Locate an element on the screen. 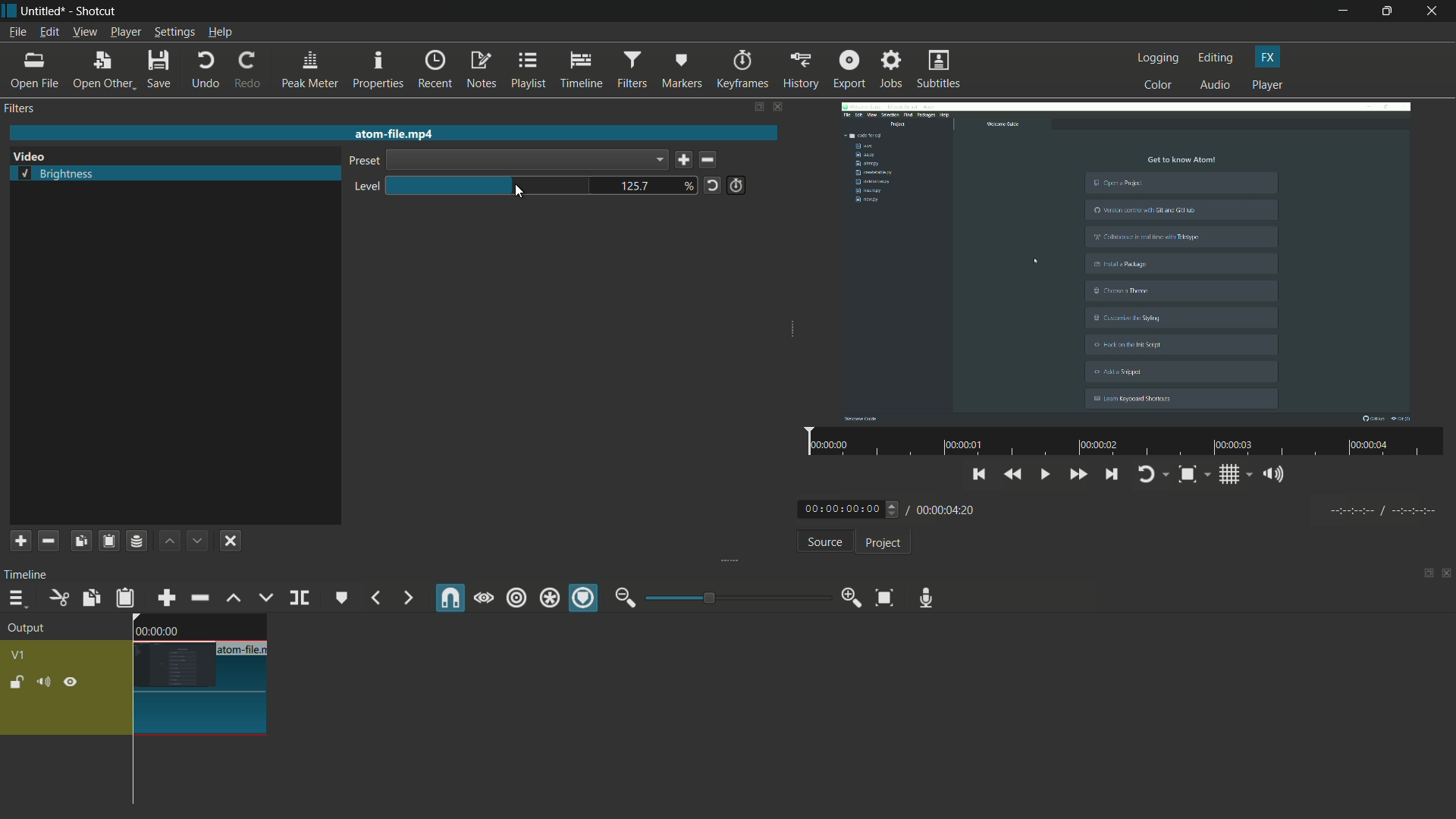 The image size is (1456, 819). zoom out is located at coordinates (625, 598).